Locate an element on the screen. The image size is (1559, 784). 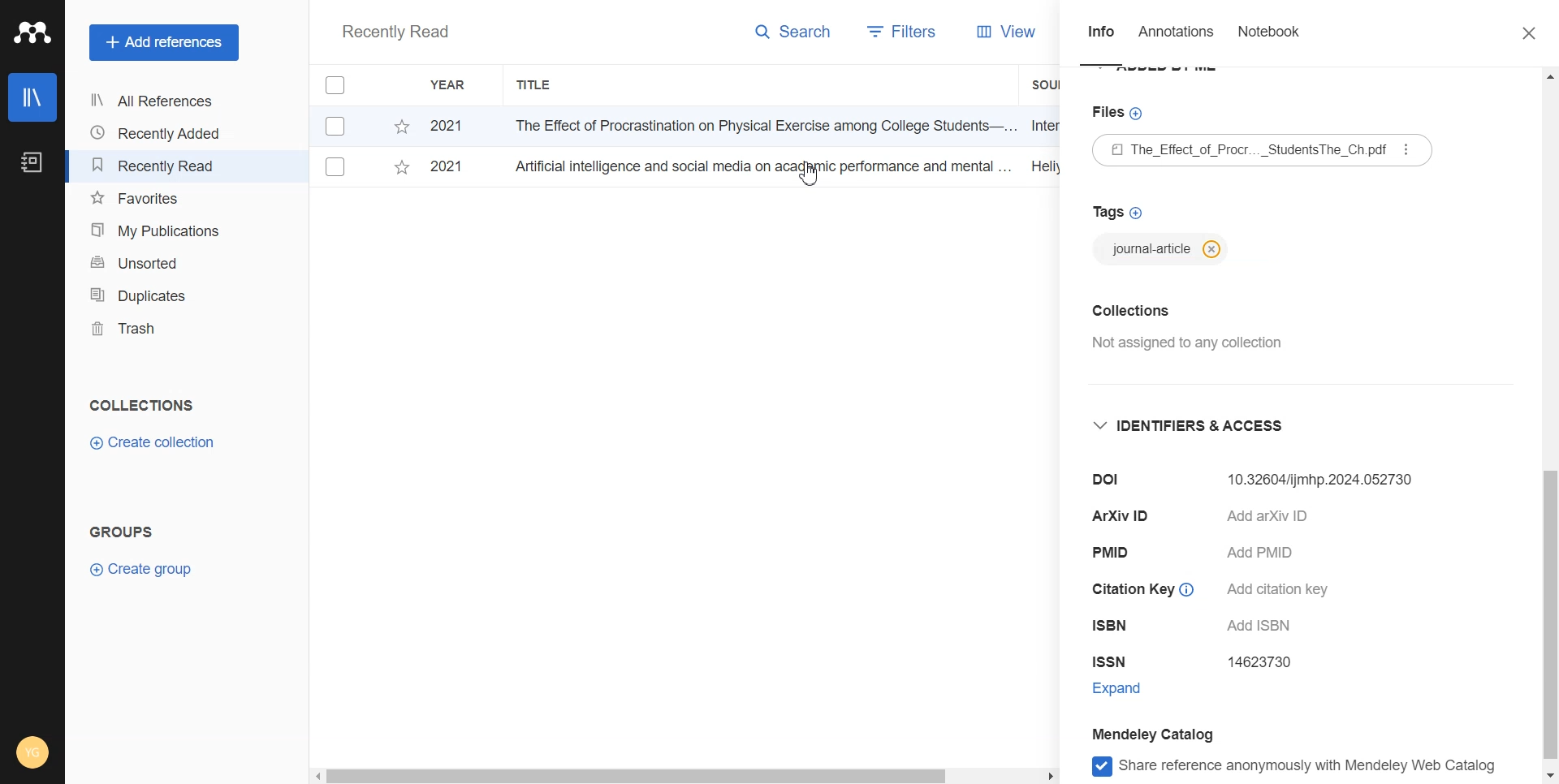
Title is located at coordinates (535, 85).